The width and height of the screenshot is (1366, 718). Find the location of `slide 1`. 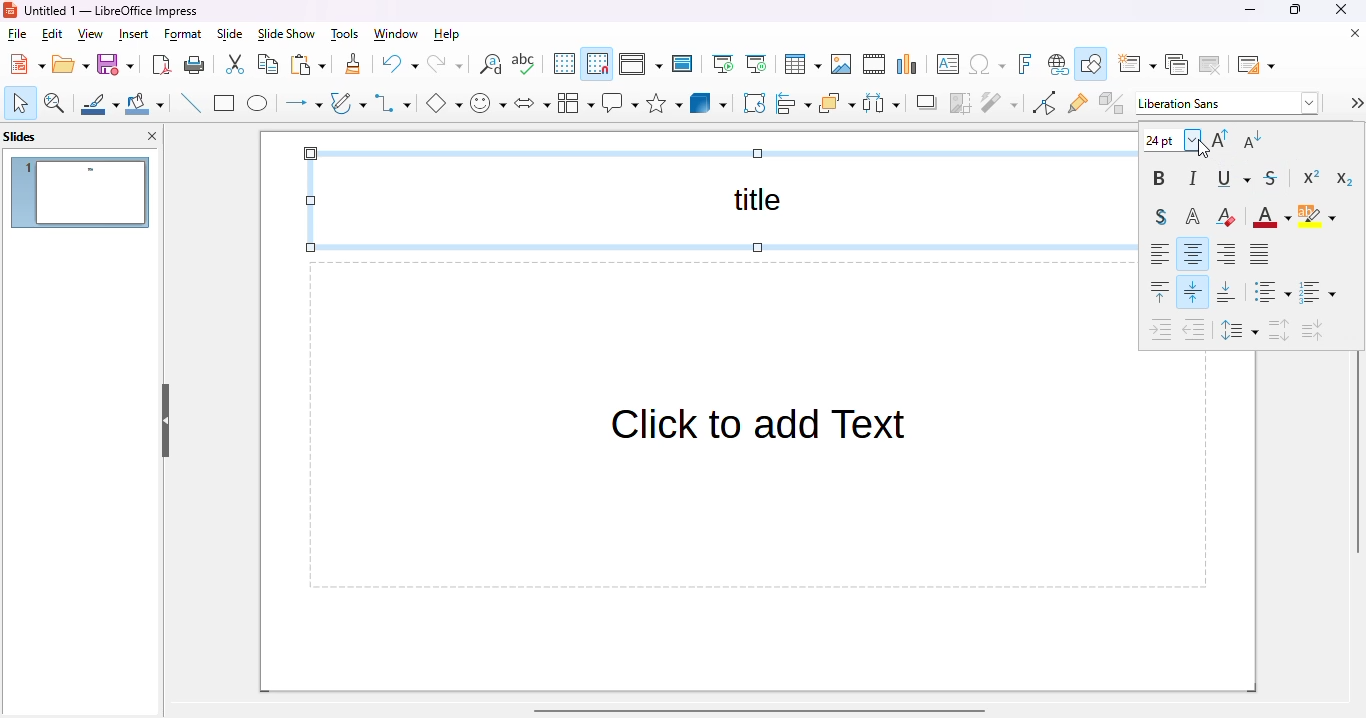

slide 1 is located at coordinates (82, 193).